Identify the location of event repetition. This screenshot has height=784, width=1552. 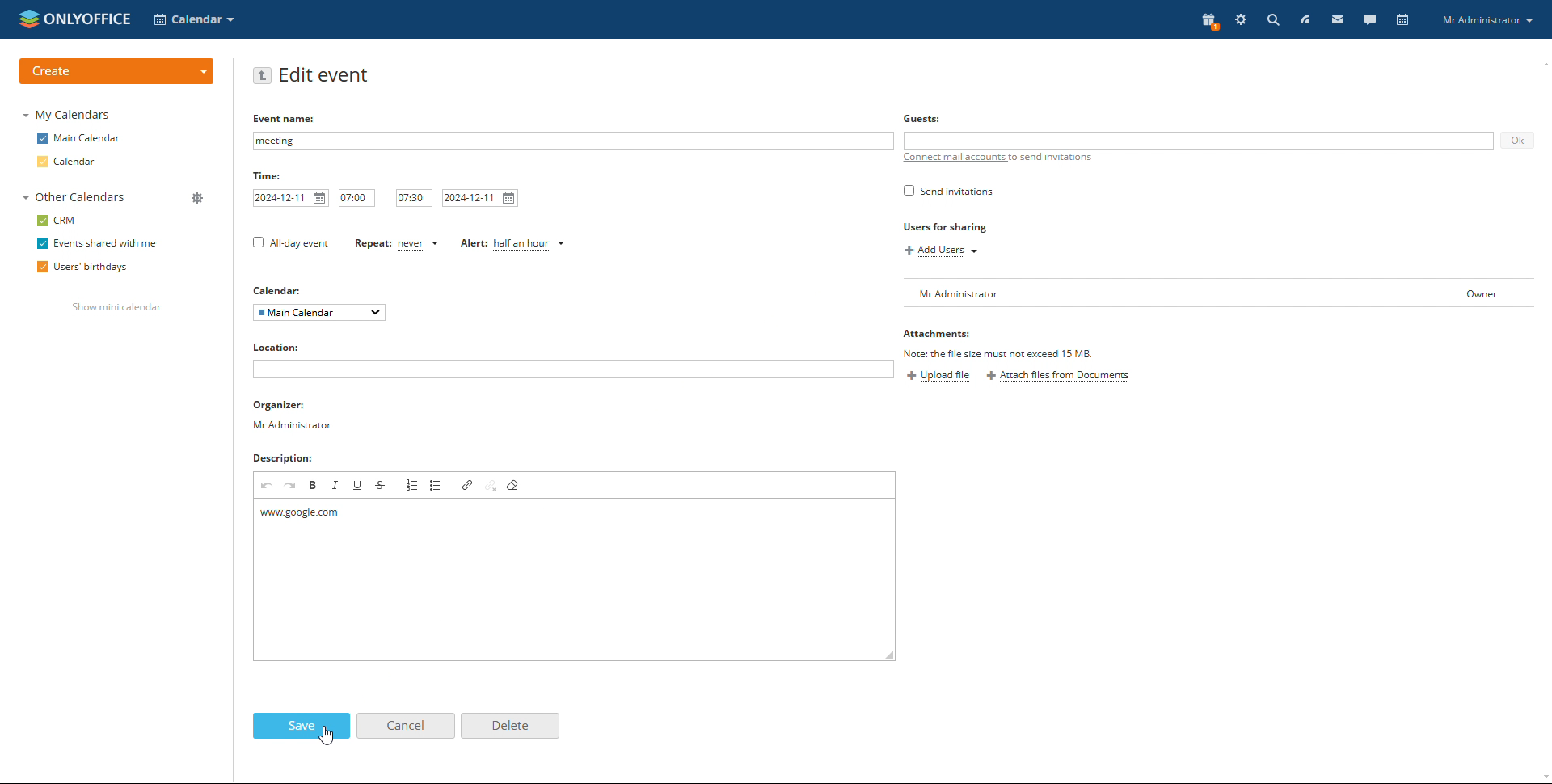
(420, 244).